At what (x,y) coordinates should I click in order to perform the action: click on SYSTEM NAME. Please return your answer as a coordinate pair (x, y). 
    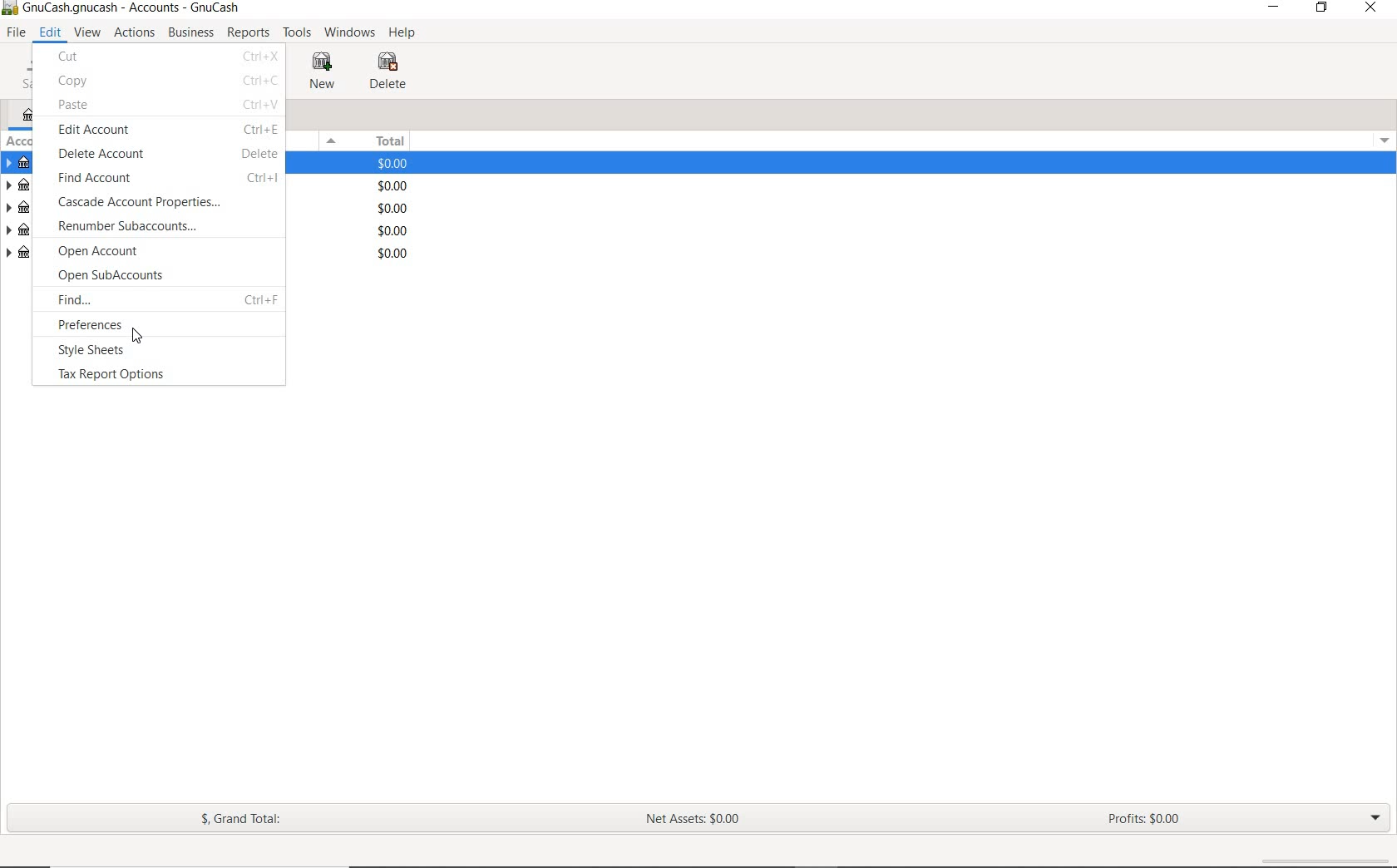
    Looking at the image, I should click on (9, 9).